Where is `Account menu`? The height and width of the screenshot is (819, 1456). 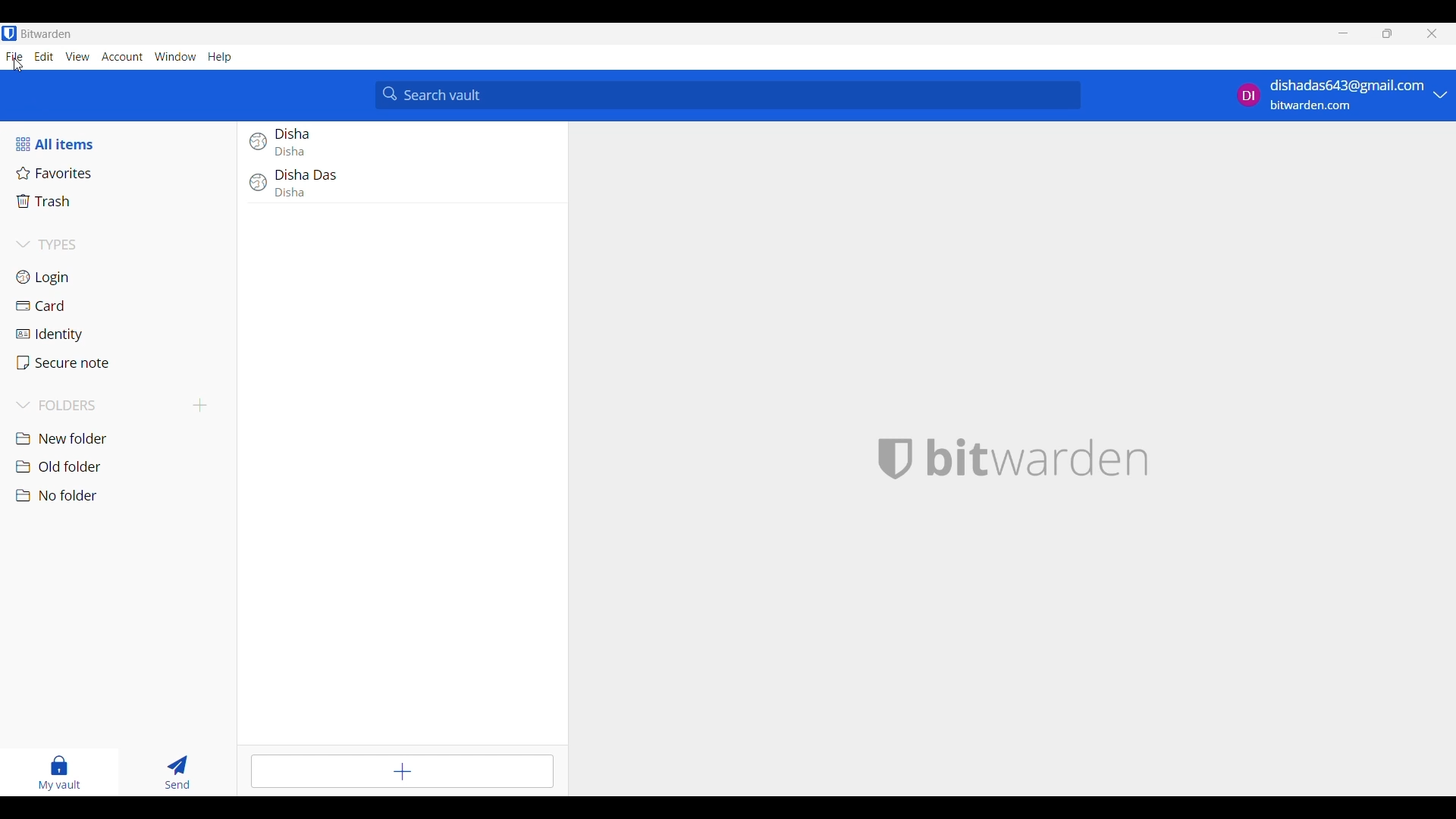
Account menu is located at coordinates (122, 57).